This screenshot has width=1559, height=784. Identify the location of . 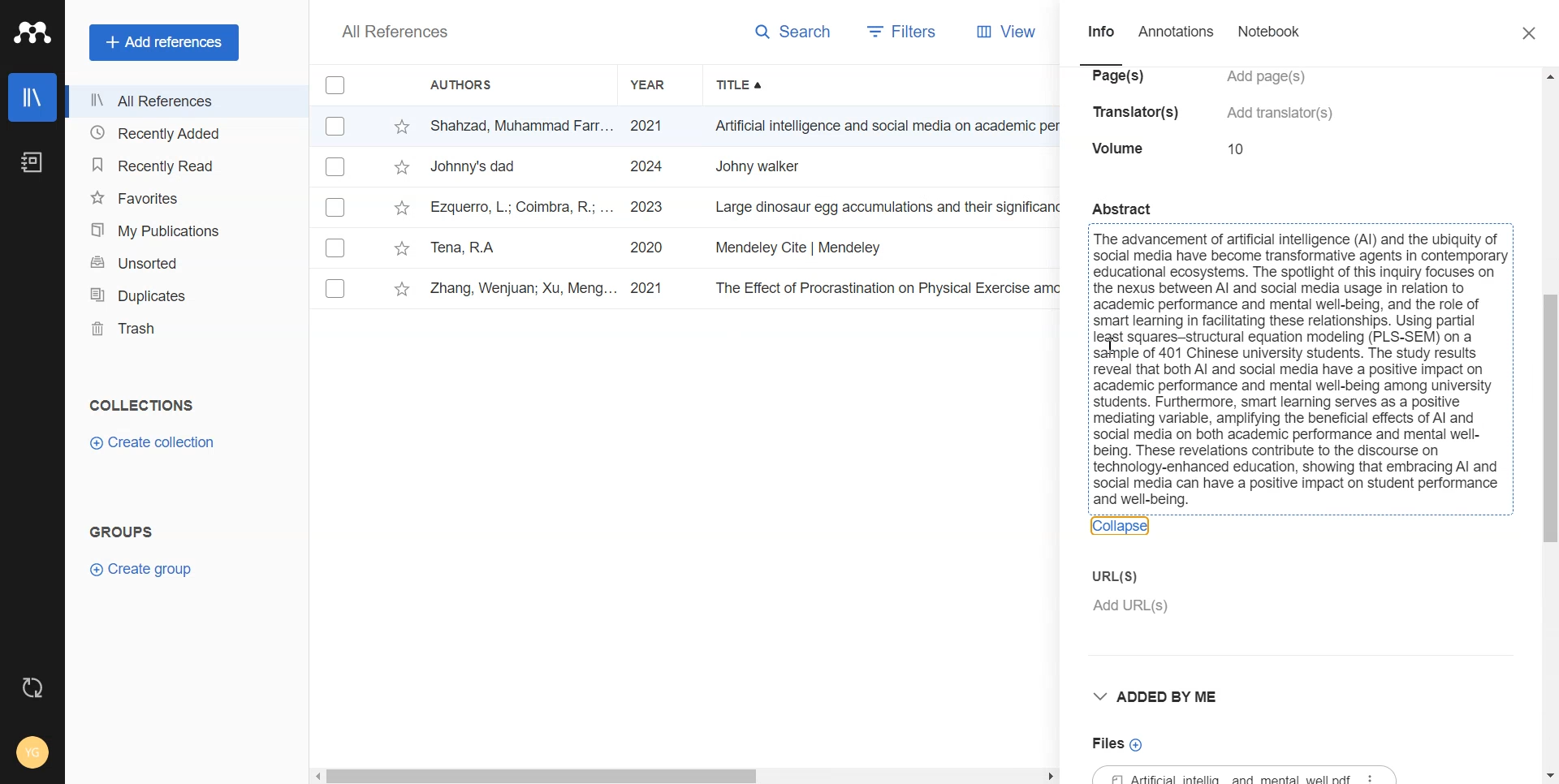
(335, 248).